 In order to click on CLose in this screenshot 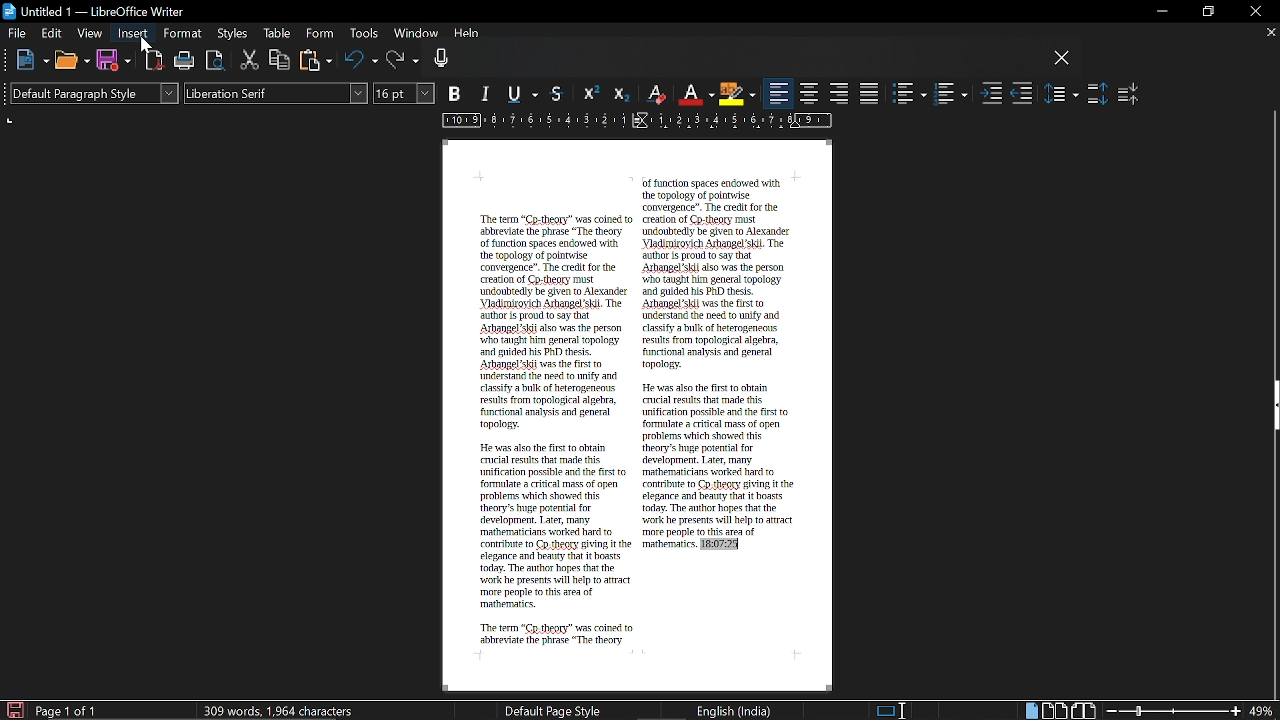, I will do `click(1062, 59)`.